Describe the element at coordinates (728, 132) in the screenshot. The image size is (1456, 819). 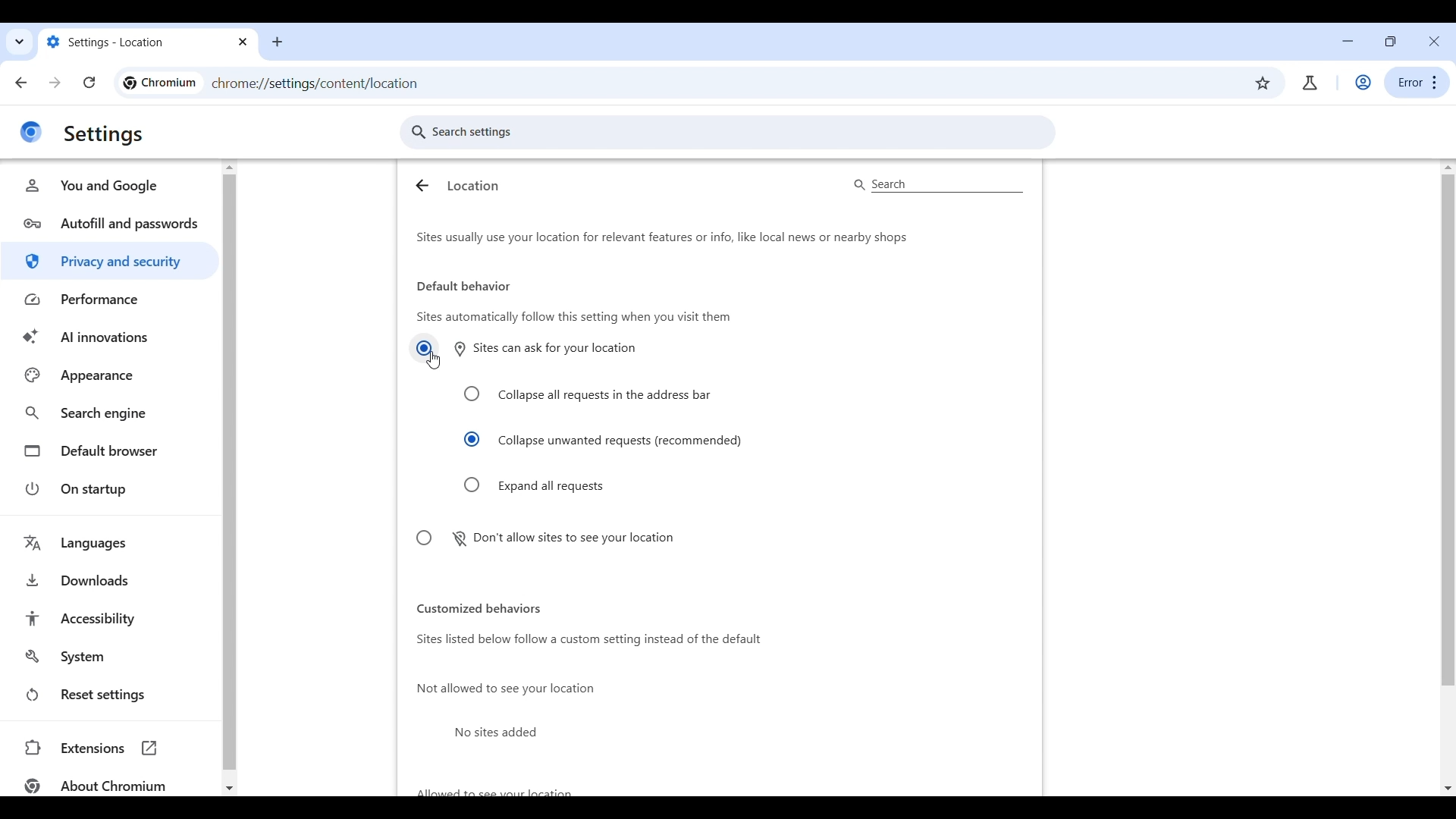
I see `Search settings` at that location.